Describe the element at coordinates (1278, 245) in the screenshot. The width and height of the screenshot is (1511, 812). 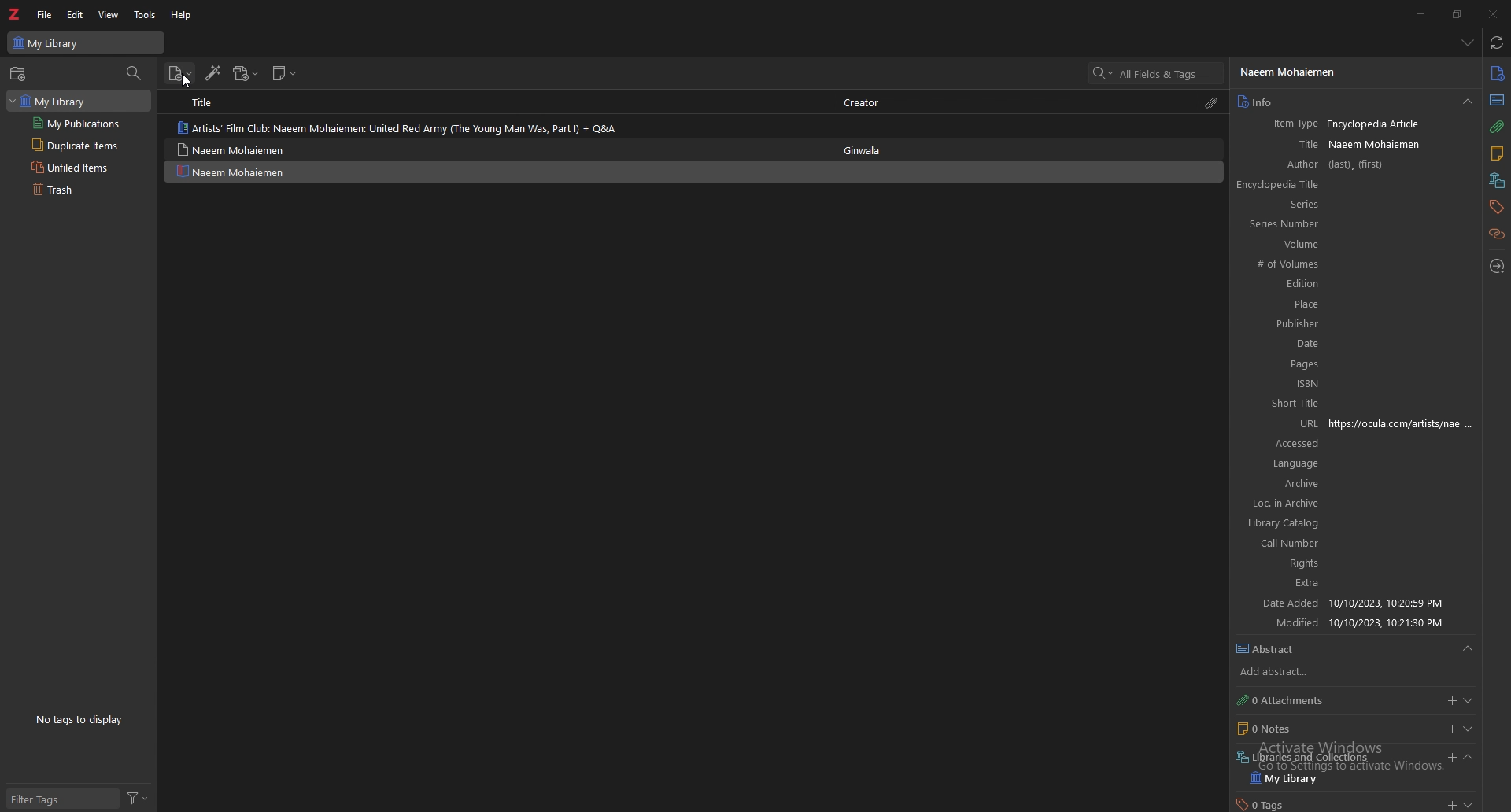
I see `volume` at that location.